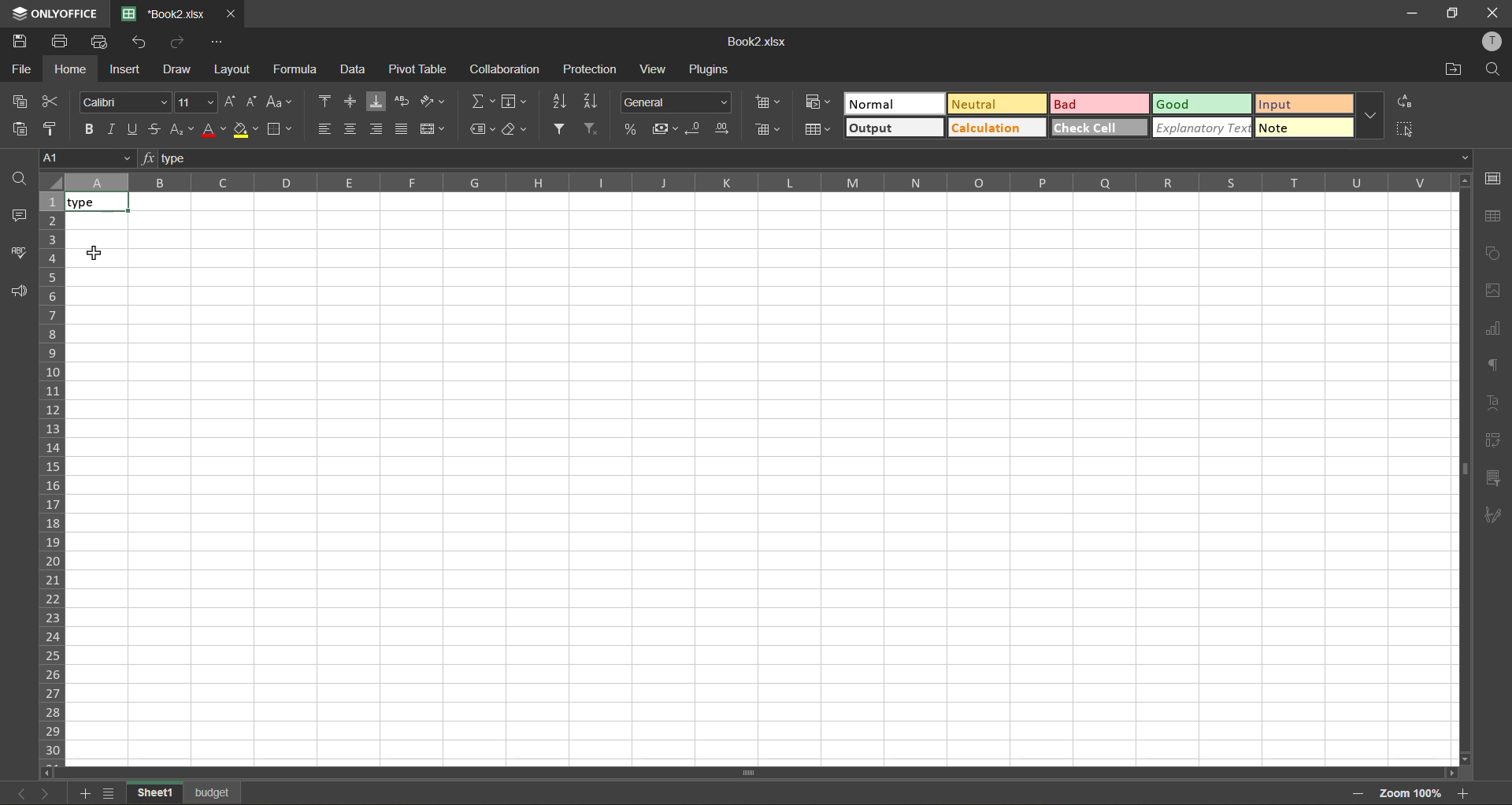 The image size is (1512, 805). Describe the element at coordinates (55, 101) in the screenshot. I see `cut` at that location.